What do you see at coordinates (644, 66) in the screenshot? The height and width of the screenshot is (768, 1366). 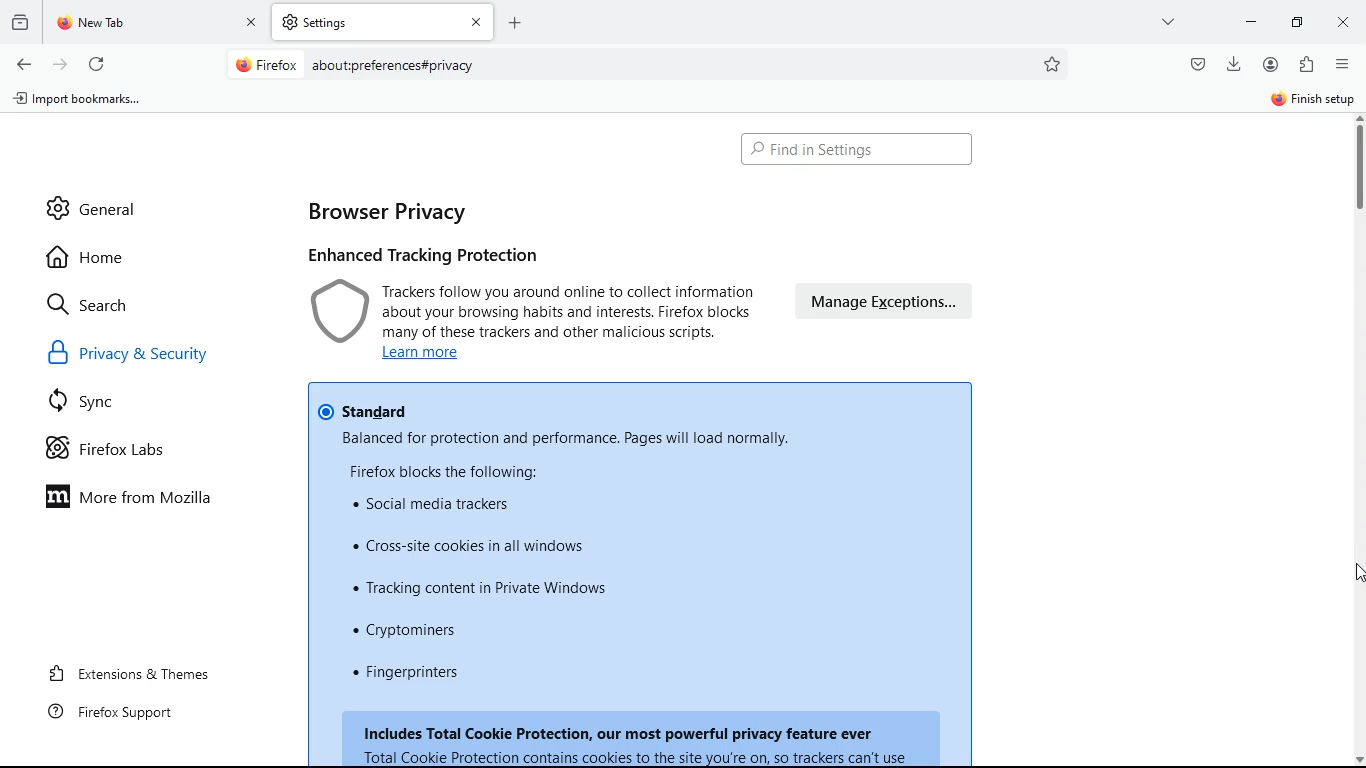 I see `Search bar` at bounding box center [644, 66].